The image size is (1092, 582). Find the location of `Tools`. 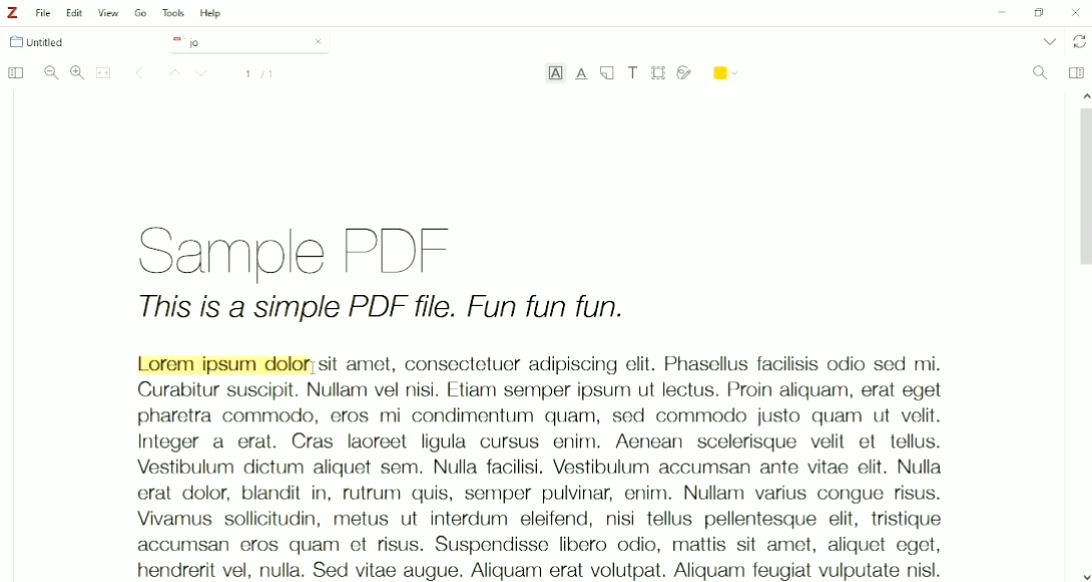

Tools is located at coordinates (173, 13).